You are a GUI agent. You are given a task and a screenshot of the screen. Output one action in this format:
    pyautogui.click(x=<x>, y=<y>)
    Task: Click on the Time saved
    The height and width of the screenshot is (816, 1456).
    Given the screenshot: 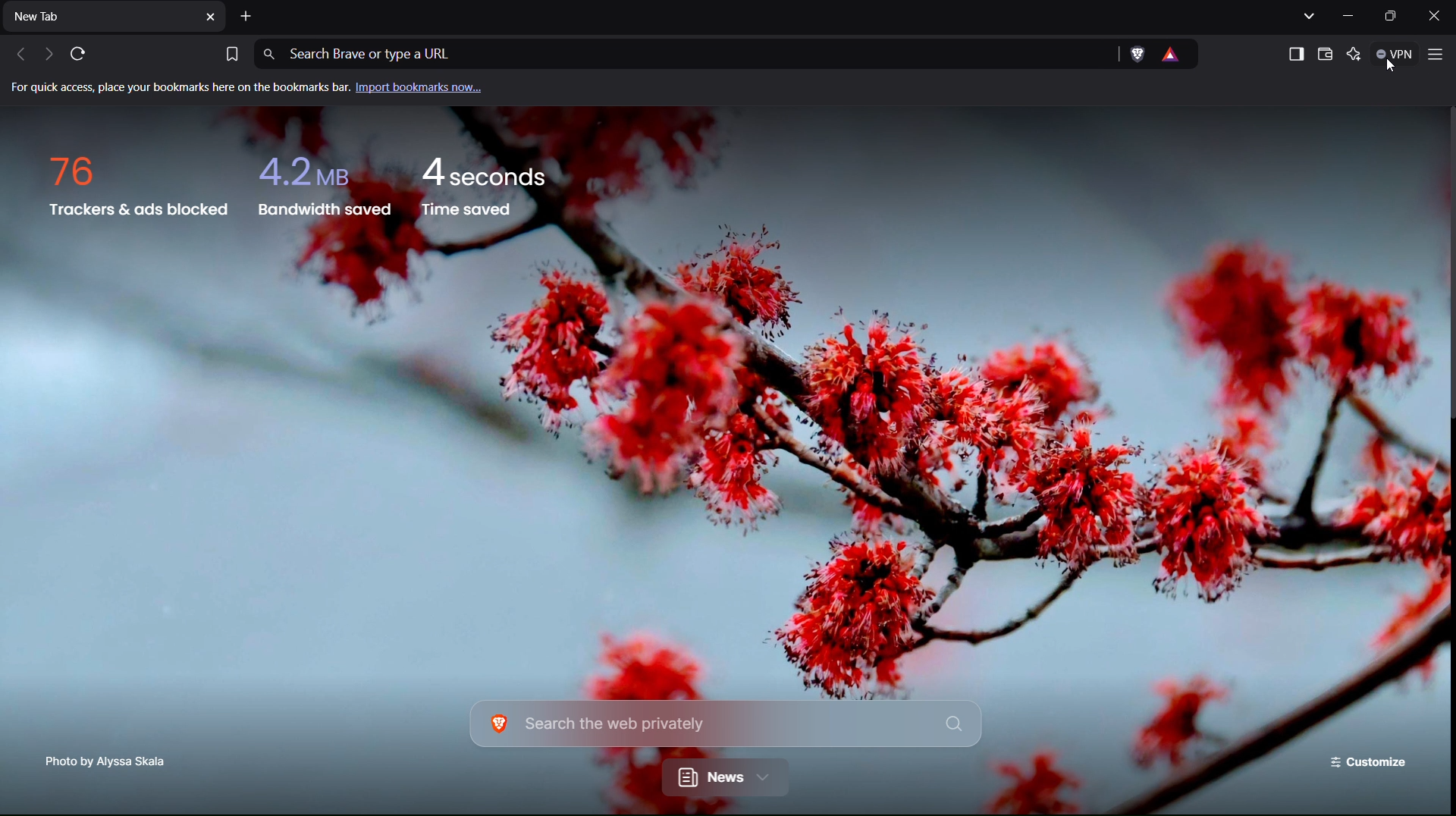 What is the action you would take?
    pyautogui.click(x=485, y=189)
    